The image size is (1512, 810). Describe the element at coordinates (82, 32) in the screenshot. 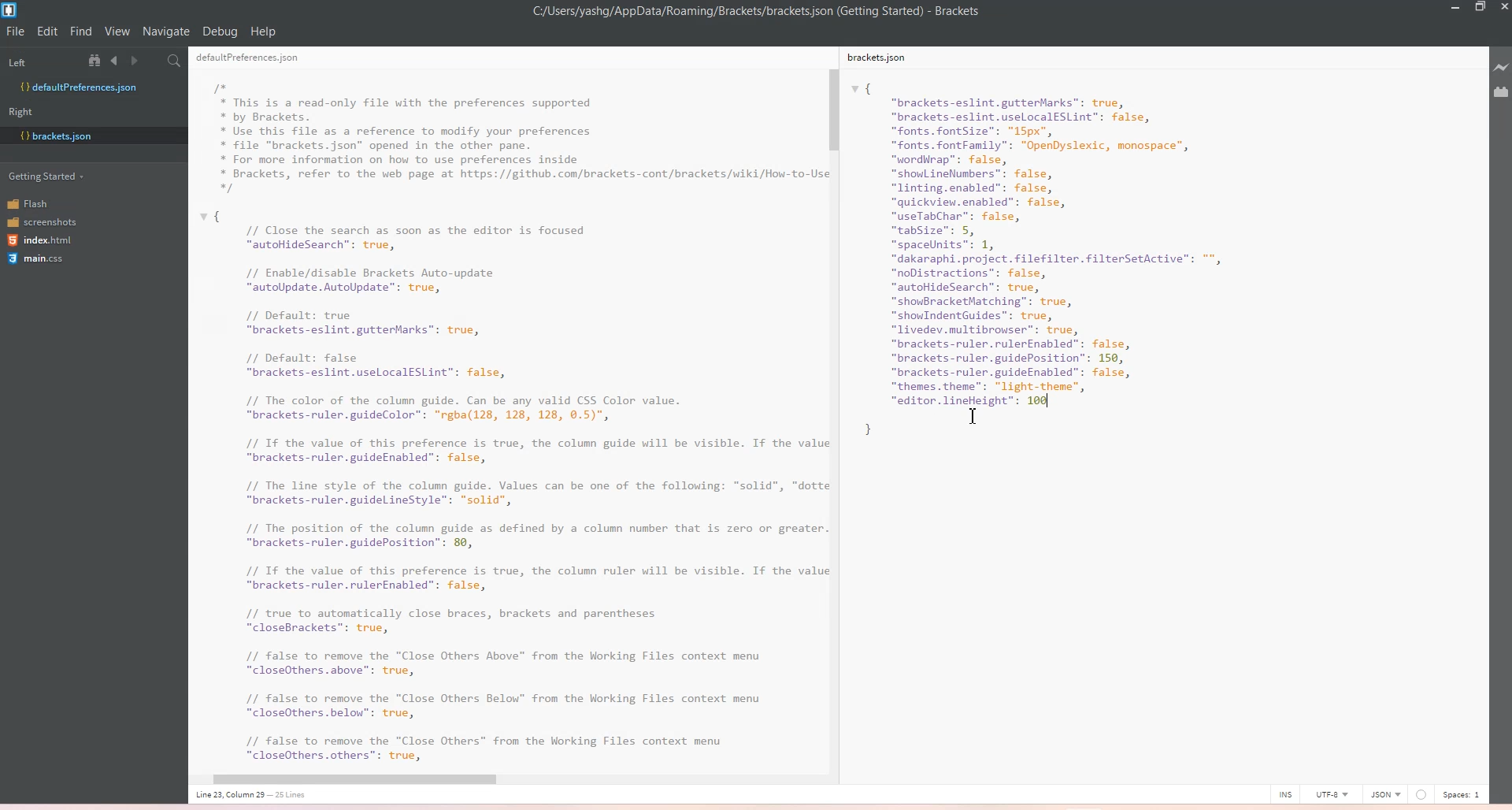

I see `Find` at that location.